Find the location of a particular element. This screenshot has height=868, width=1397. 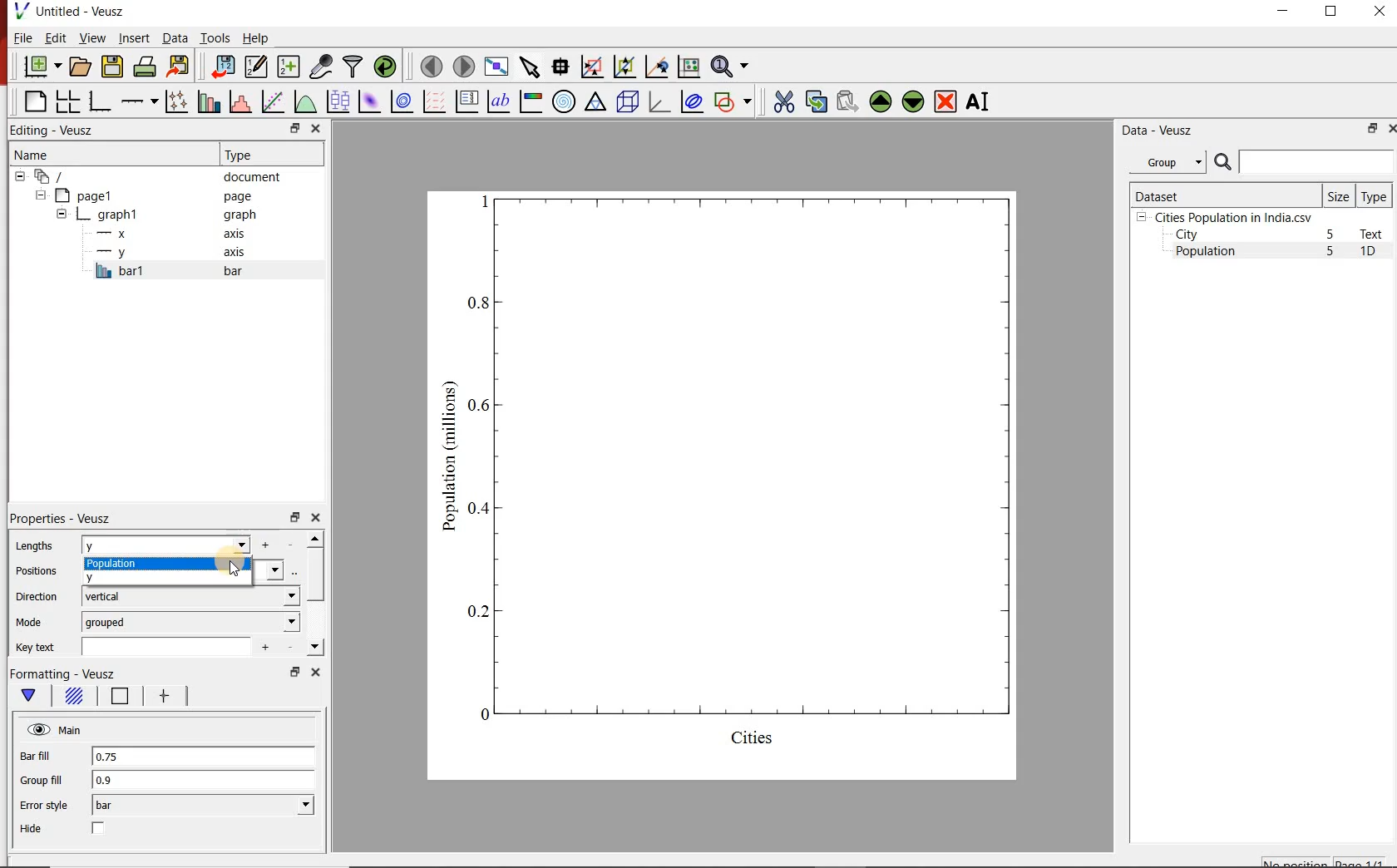

close is located at coordinates (313, 672).